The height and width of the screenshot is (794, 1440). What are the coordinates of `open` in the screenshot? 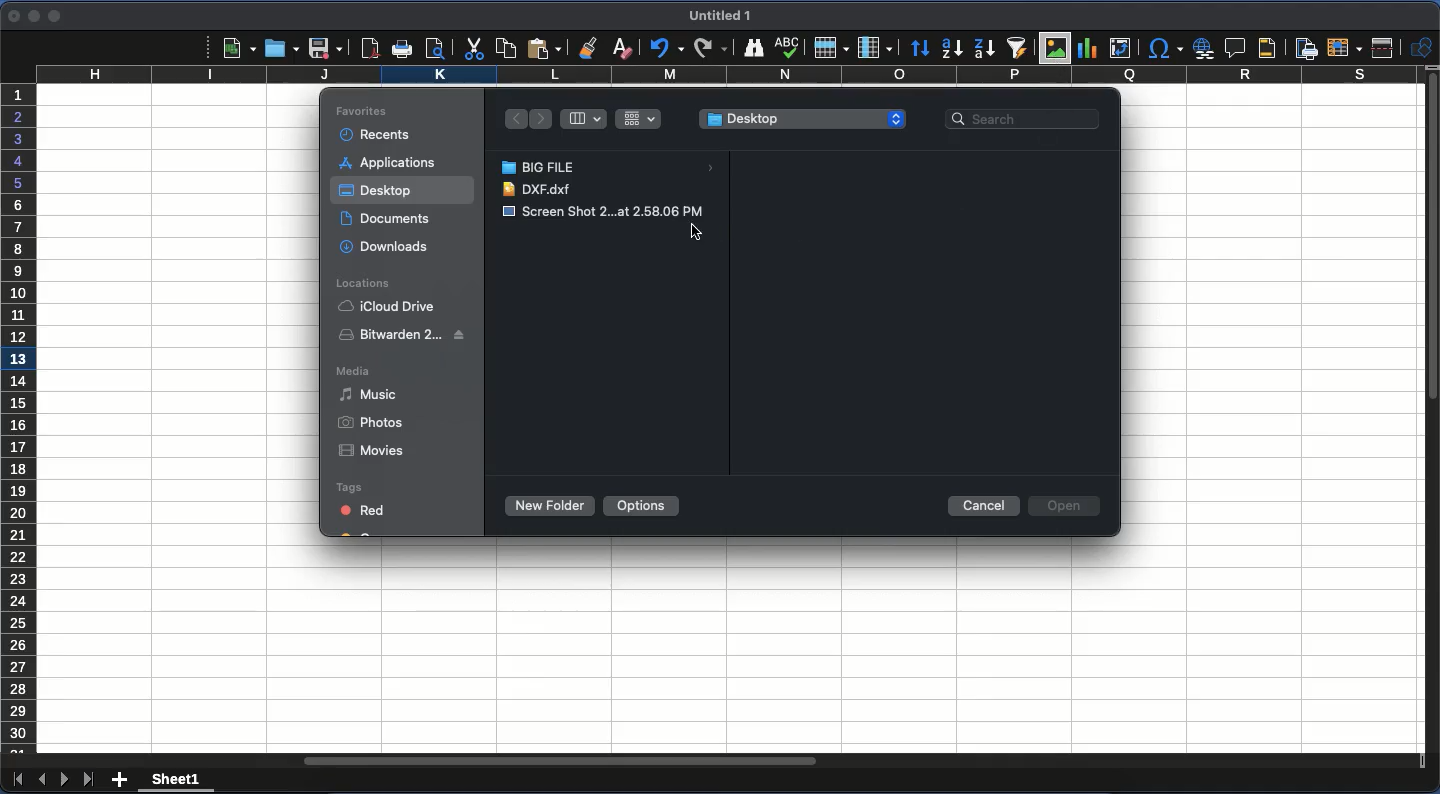 It's located at (283, 50).